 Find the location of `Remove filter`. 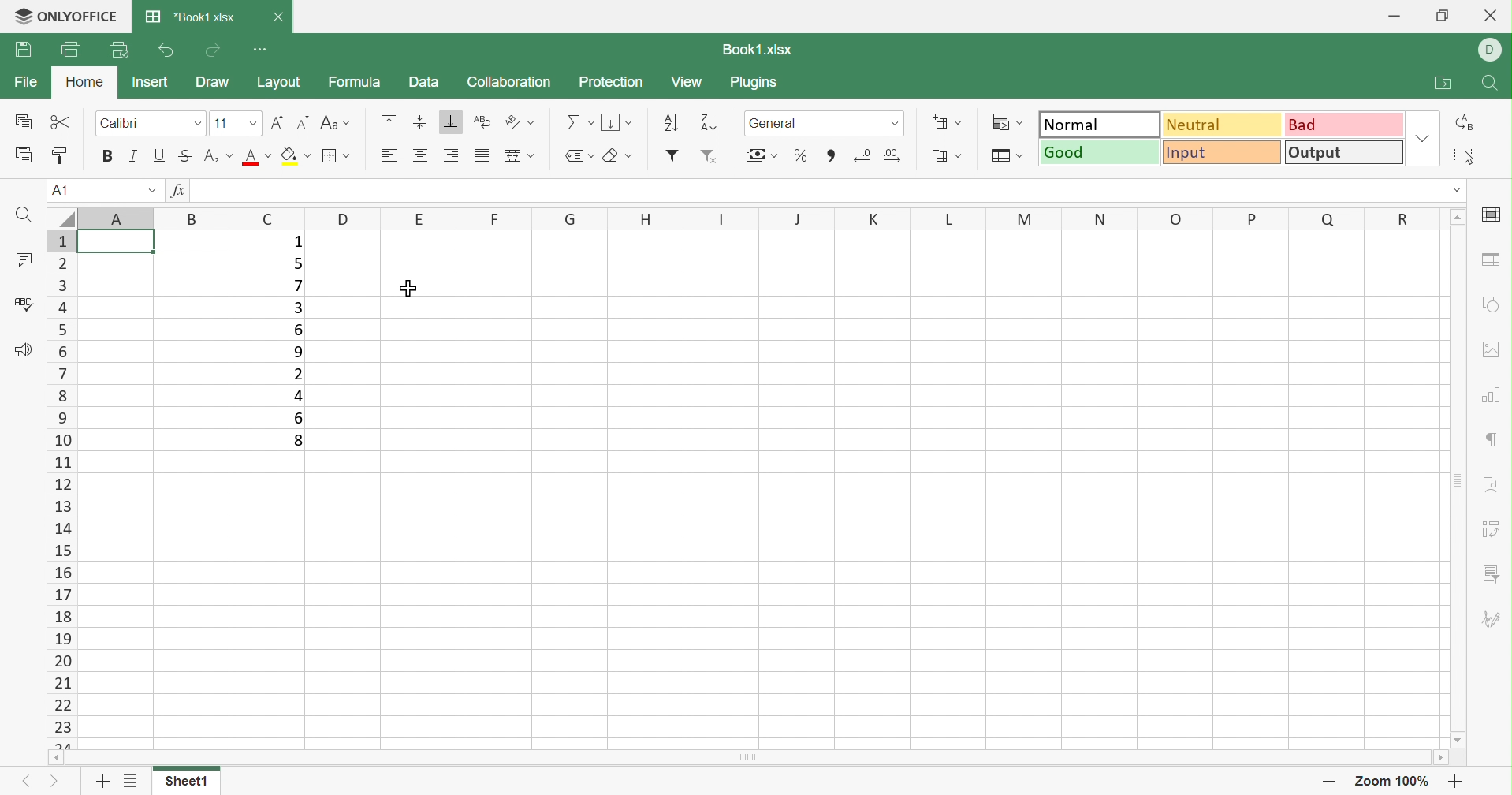

Remove filter is located at coordinates (710, 157).